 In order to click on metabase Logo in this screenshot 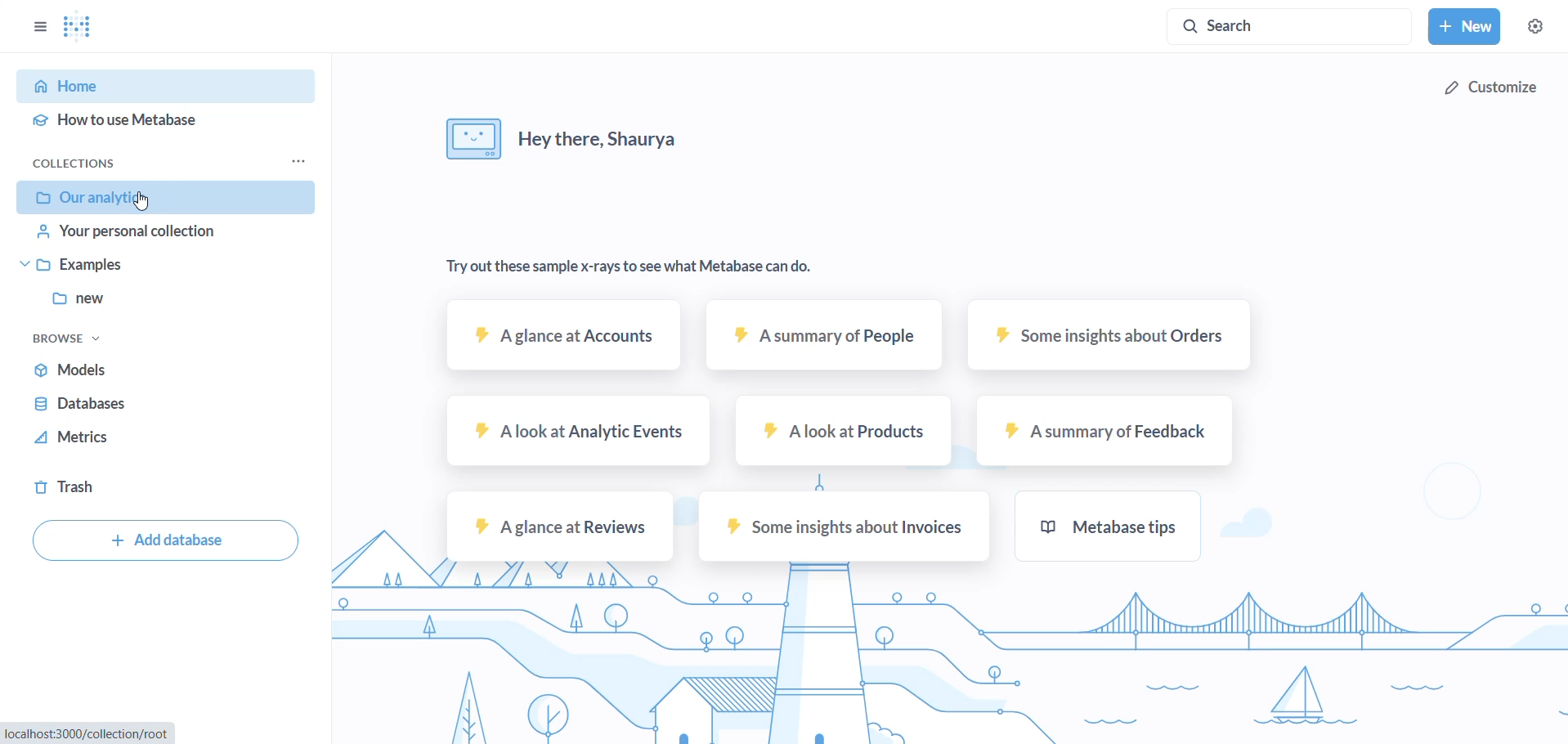, I will do `click(83, 26)`.